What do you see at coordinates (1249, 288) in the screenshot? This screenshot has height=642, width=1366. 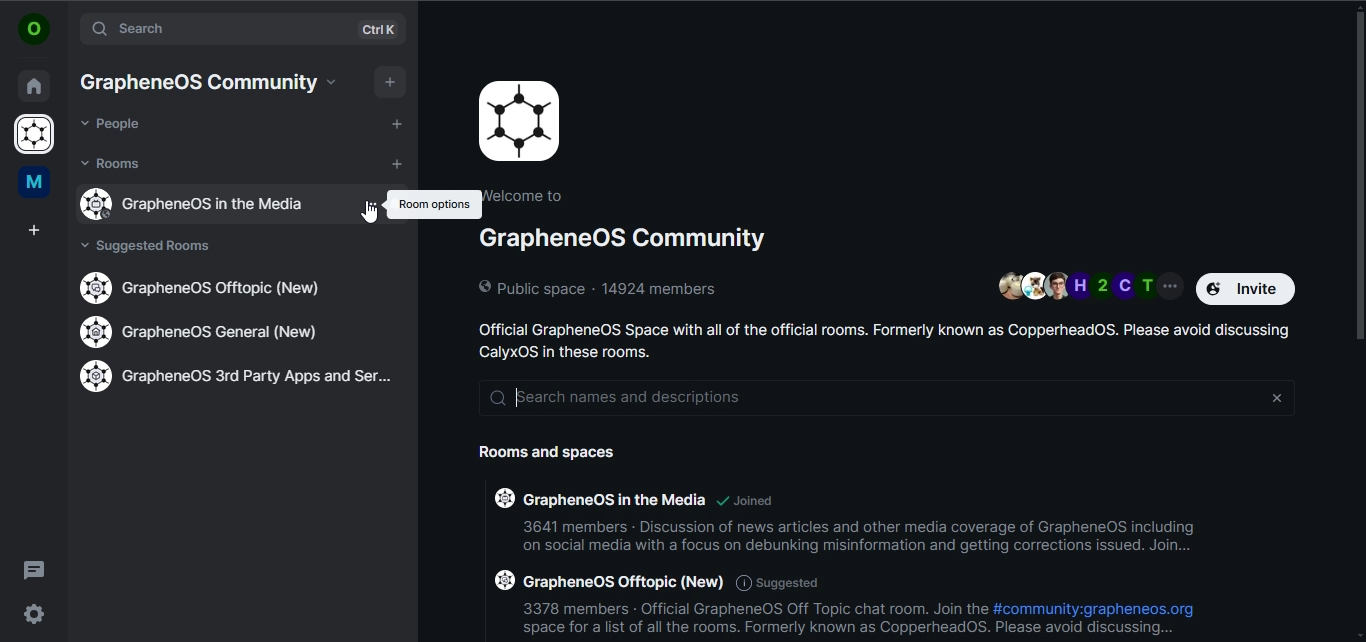 I see `invite` at bounding box center [1249, 288].